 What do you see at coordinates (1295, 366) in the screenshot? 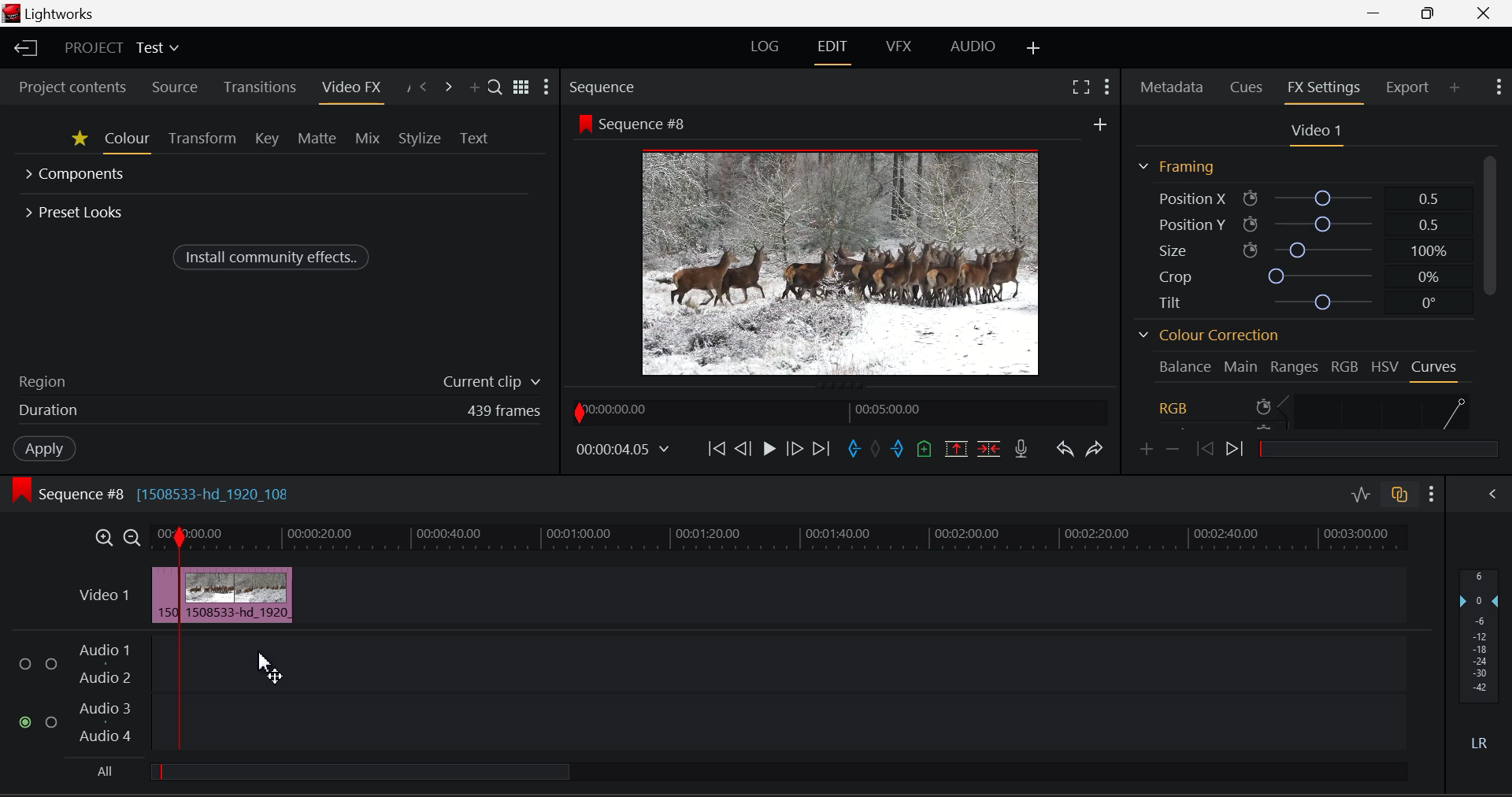
I see `Ranges` at bounding box center [1295, 366].